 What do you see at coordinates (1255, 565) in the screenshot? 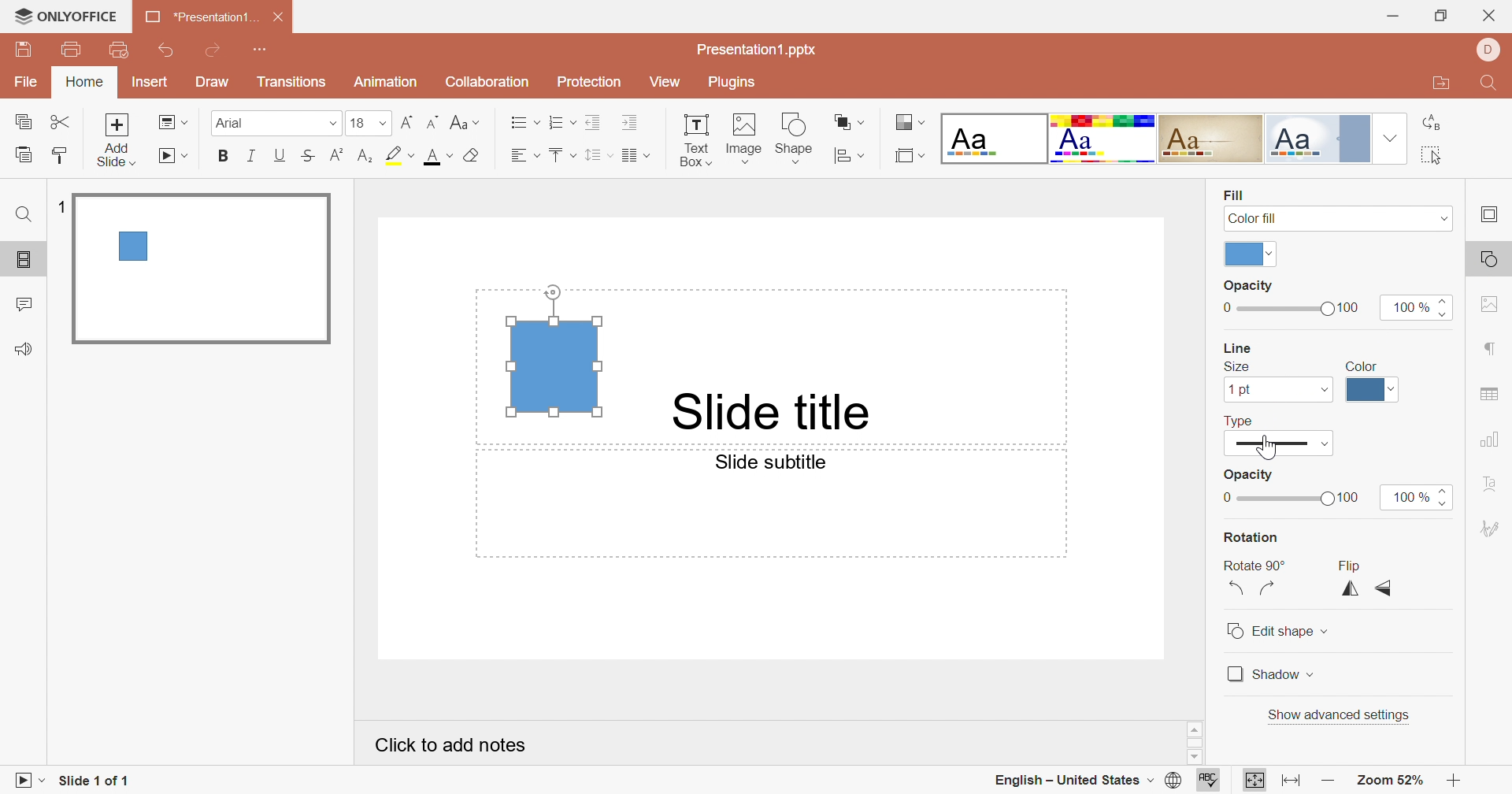
I see `Rotate 90°` at bounding box center [1255, 565].